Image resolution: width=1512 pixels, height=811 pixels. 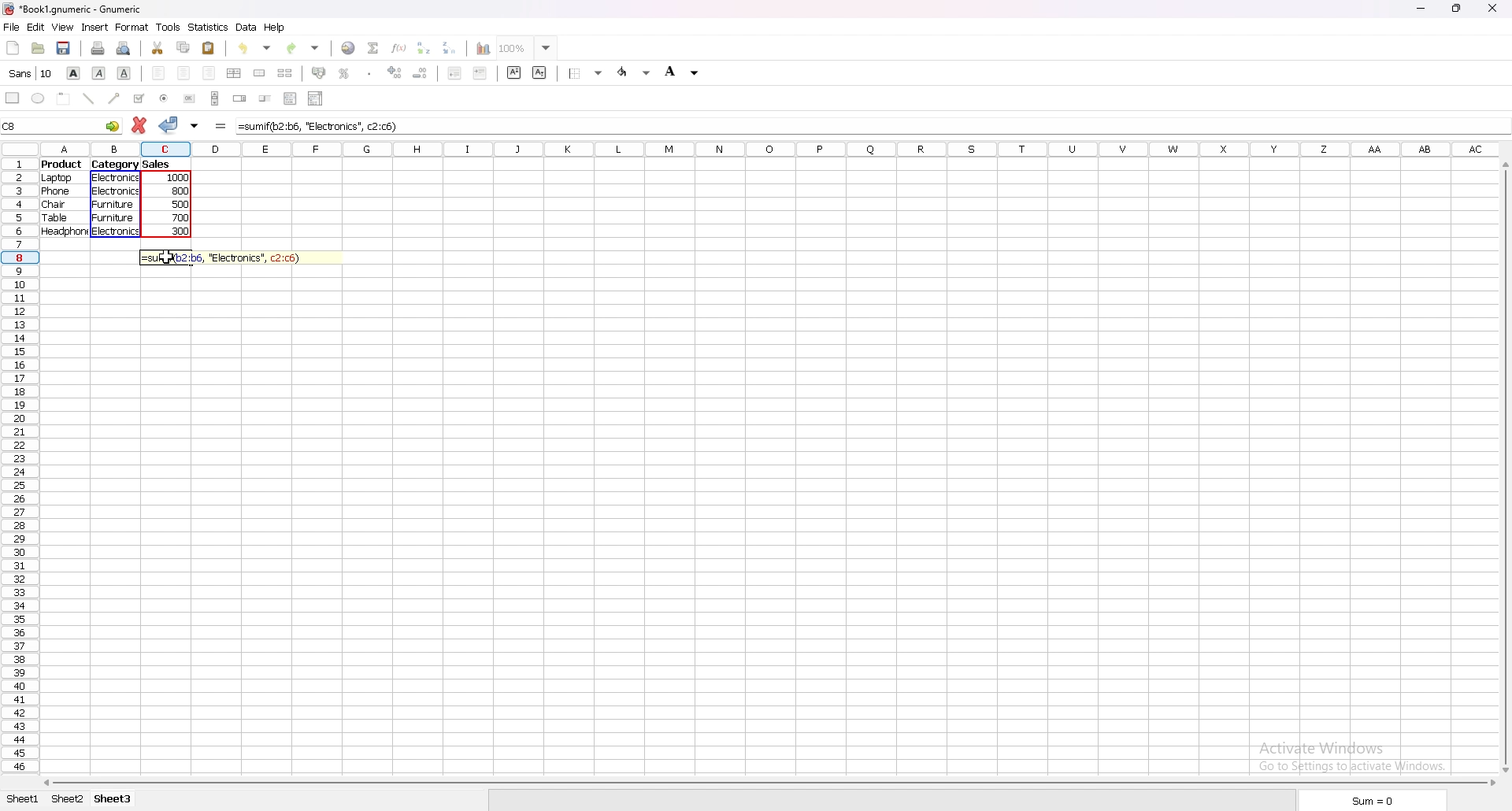 What do you see at coordinates (224, 257) in the screenshot?
I see `formula` at bounding box center [224, 257].